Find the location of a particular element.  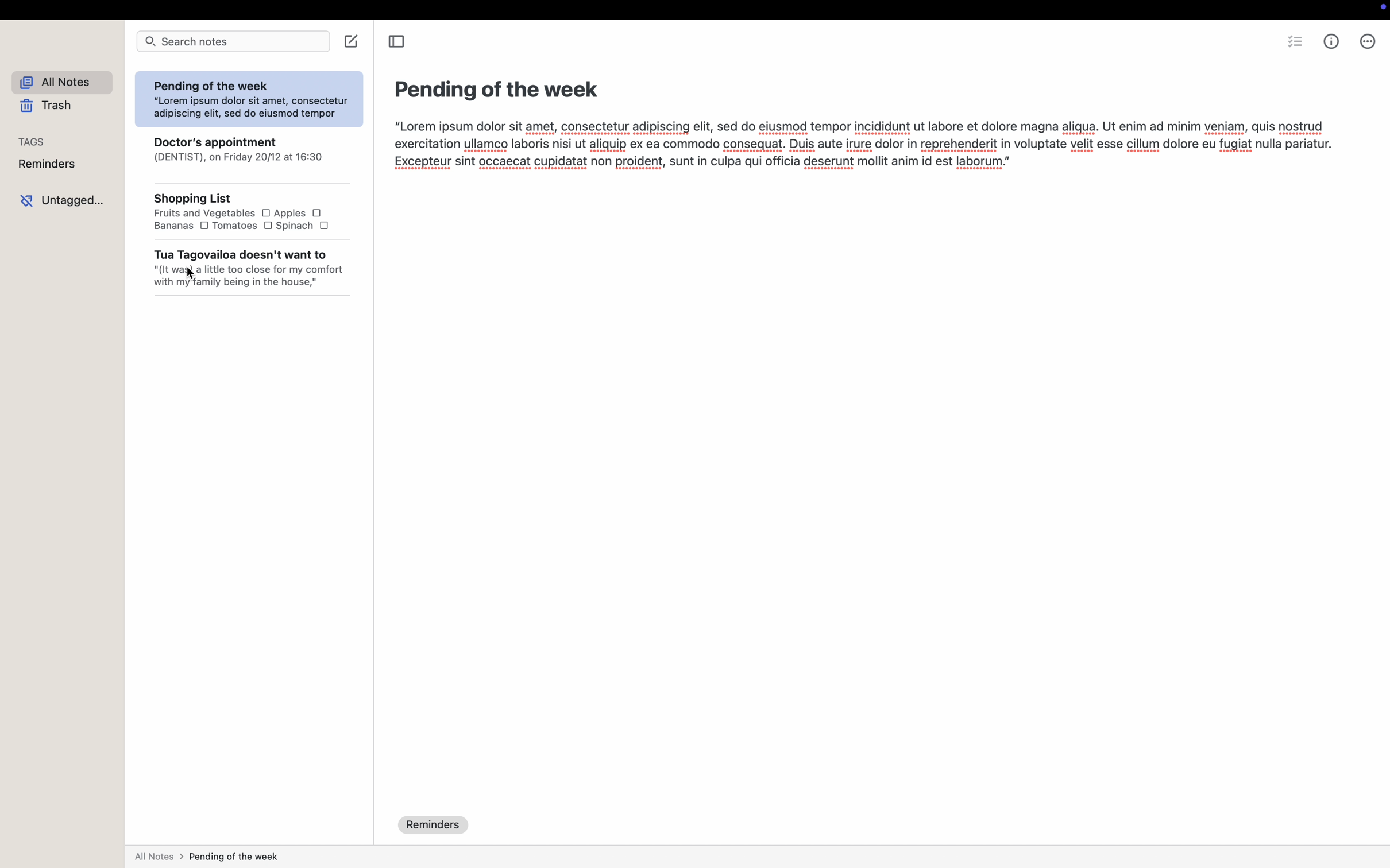

reminders is located at coordinates (434, 826).